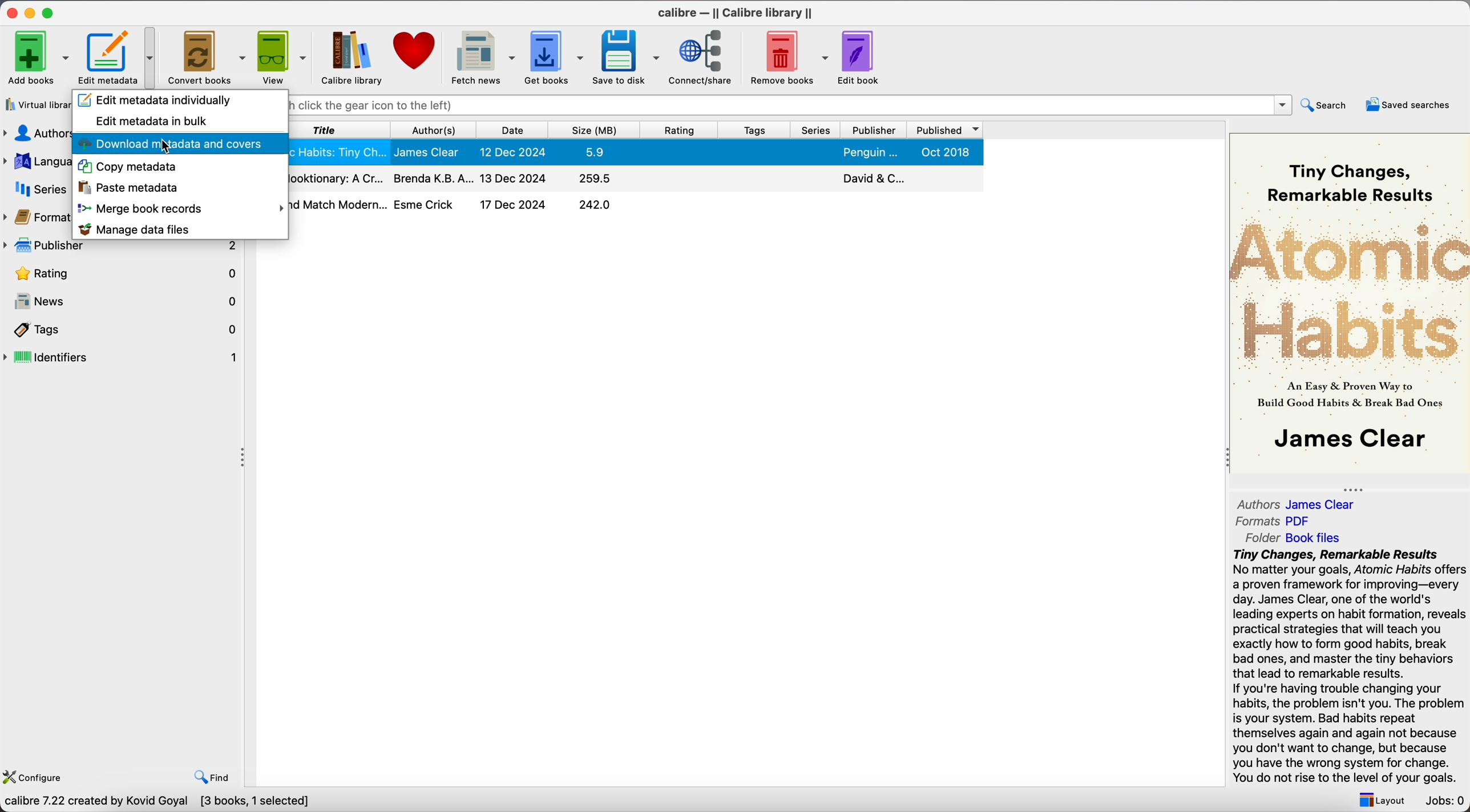  I want to click on book cover preview, so click(1351, 304).